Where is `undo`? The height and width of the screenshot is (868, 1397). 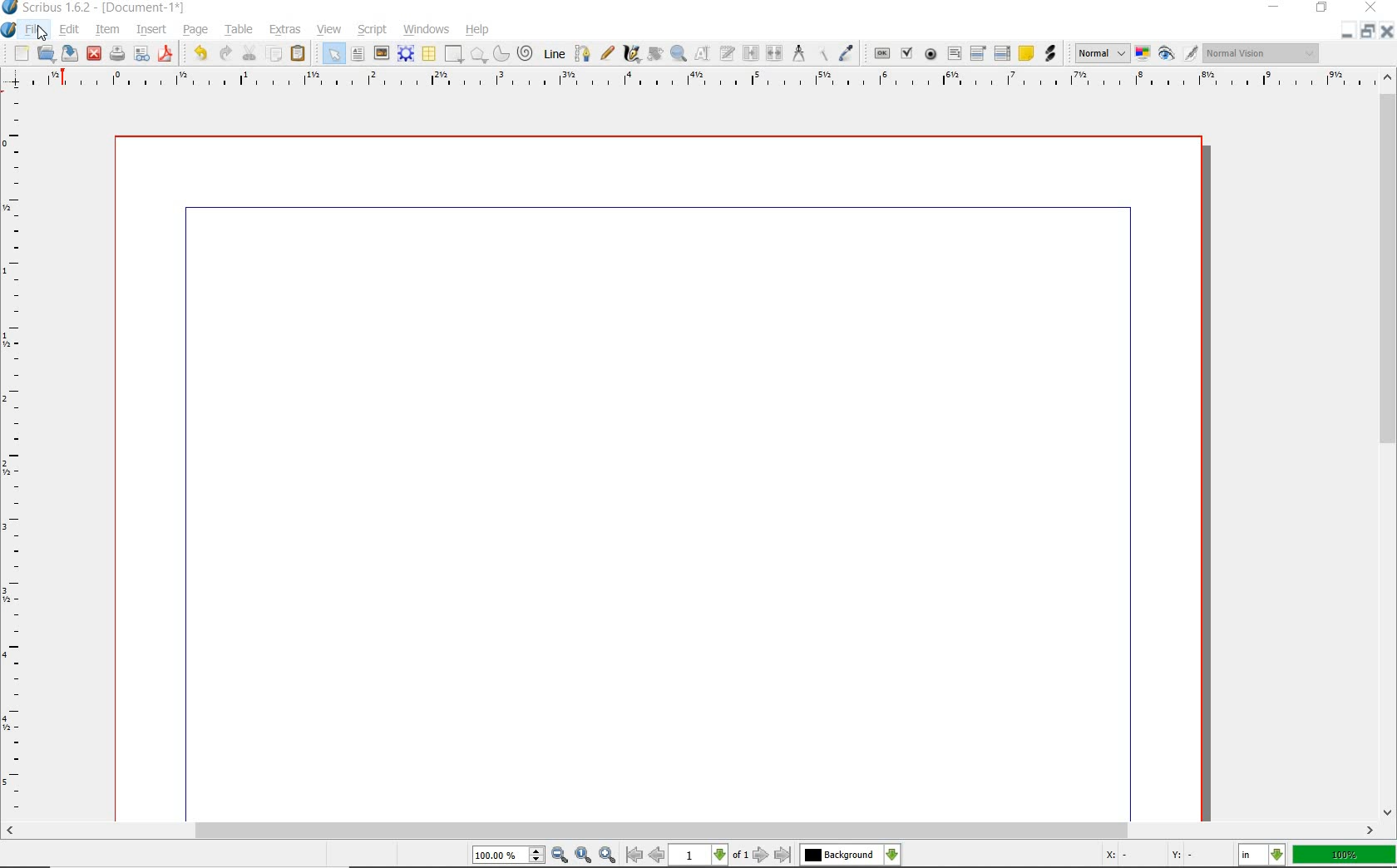
undo is located at coordinates (200, 53).